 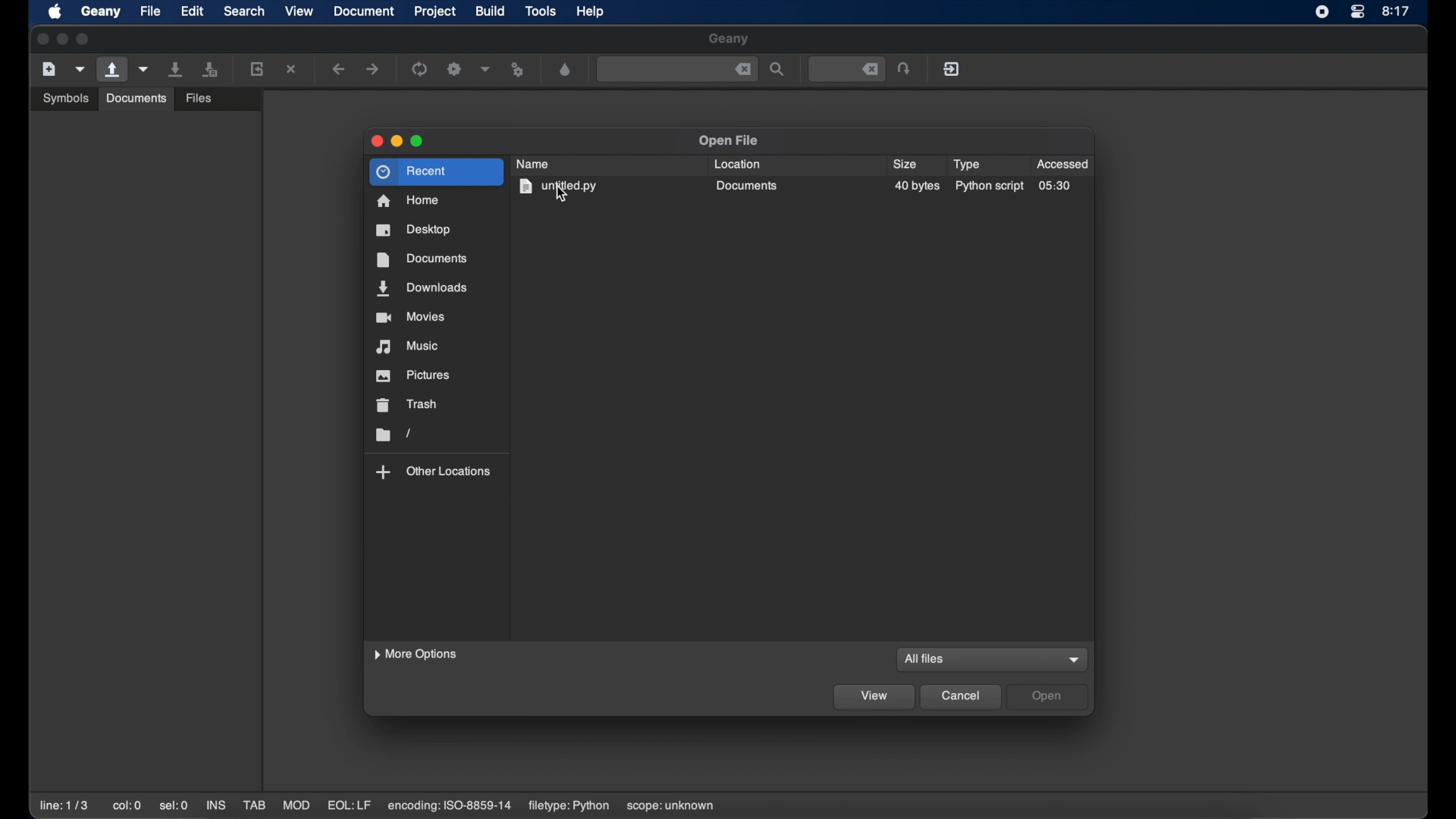 What do you see at coordinates (127, 805) in the screenshot?
I see `col:0` at bounding box center [127, 805].